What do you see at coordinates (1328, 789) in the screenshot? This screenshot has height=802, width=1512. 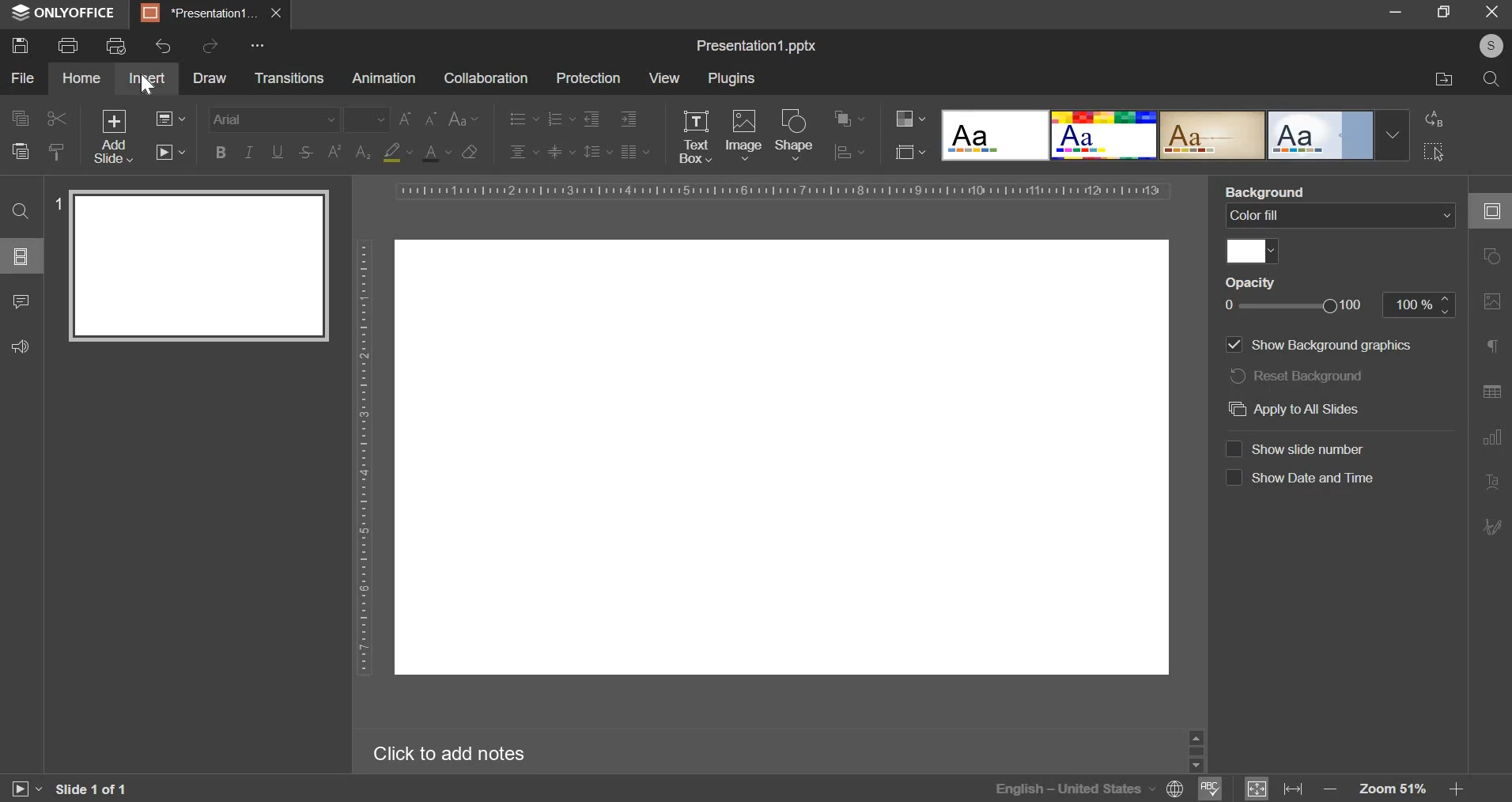 I see `zoom out` at bounding box center [1328, 789].